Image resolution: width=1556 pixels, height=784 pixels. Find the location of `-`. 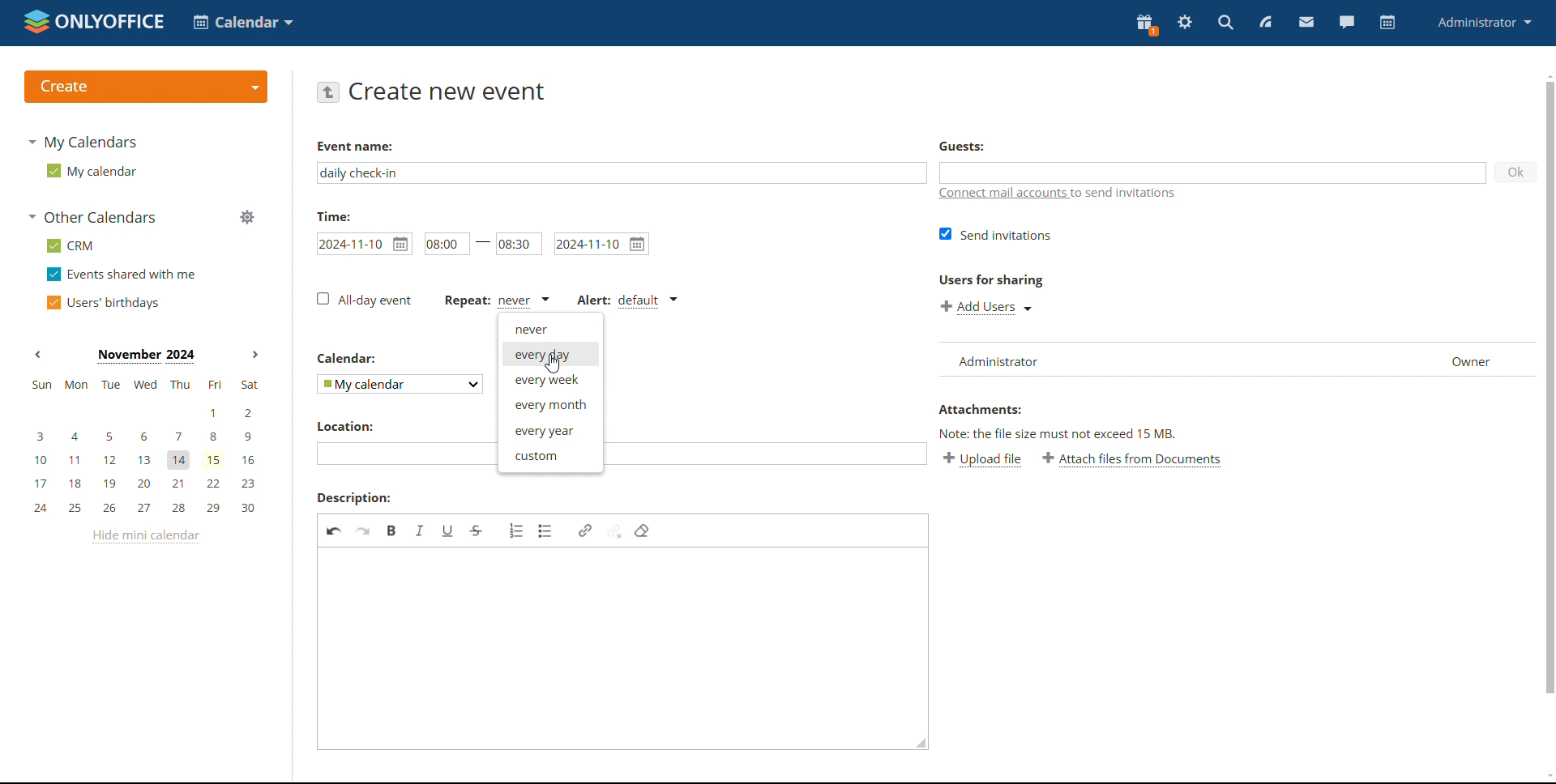

- is located at coordinates (483, 245).